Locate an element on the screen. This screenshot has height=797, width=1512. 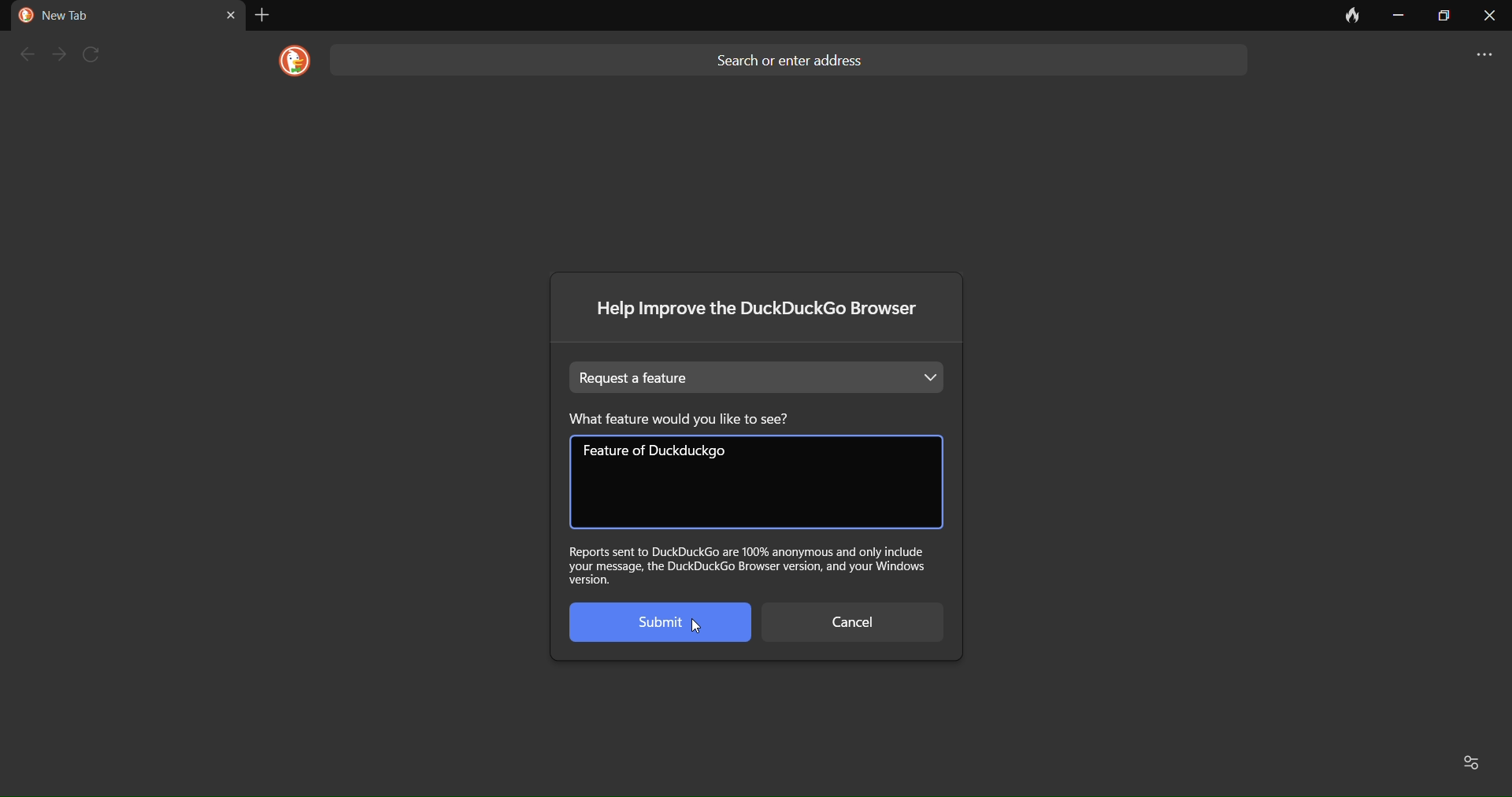
next is located at coordinates (61, 54).